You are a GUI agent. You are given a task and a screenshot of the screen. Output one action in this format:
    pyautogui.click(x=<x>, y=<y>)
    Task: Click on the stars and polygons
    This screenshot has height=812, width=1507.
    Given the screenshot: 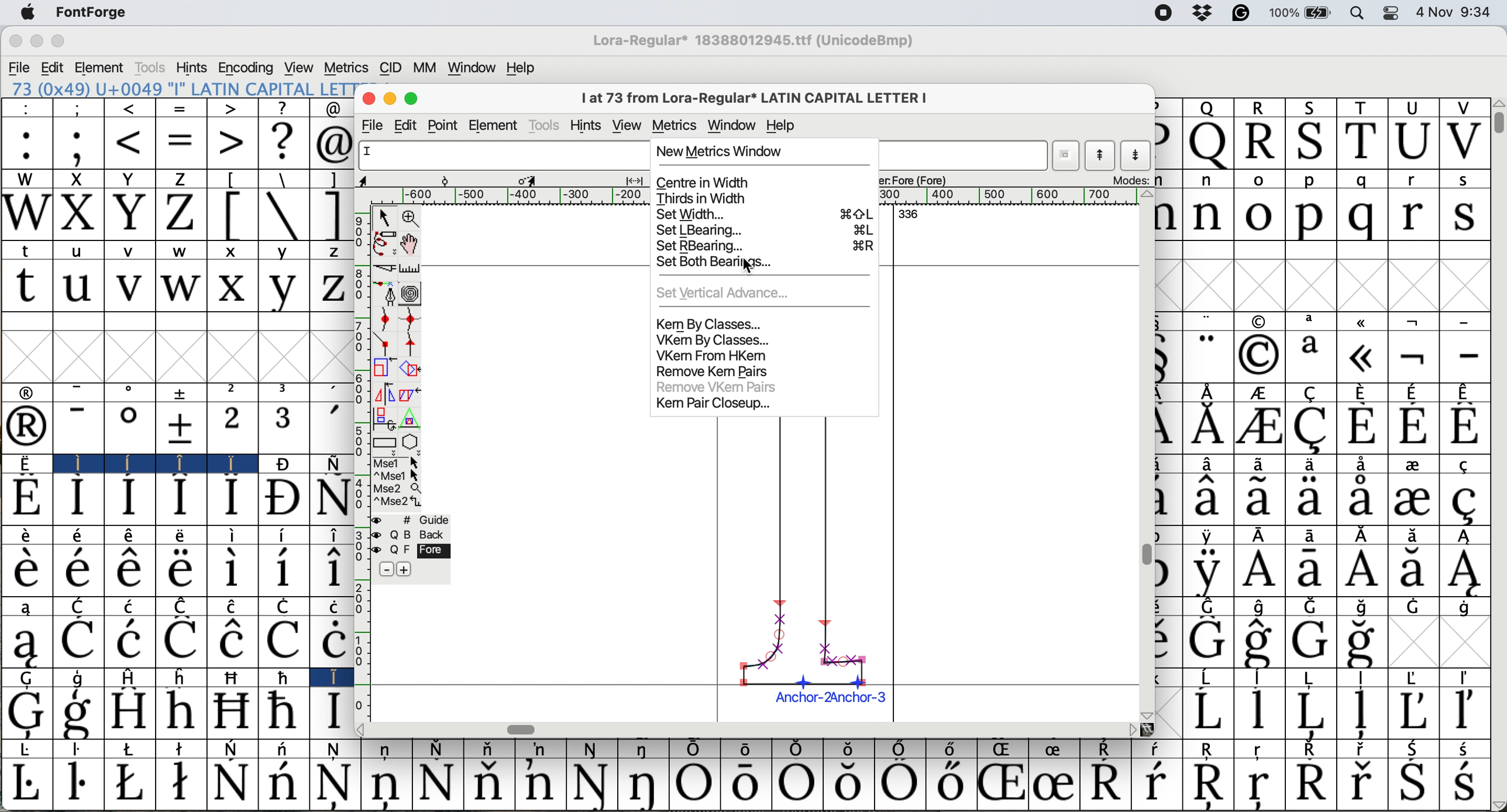 What is the action you would take?
    pyautogui.click(x=412, y=442)
    